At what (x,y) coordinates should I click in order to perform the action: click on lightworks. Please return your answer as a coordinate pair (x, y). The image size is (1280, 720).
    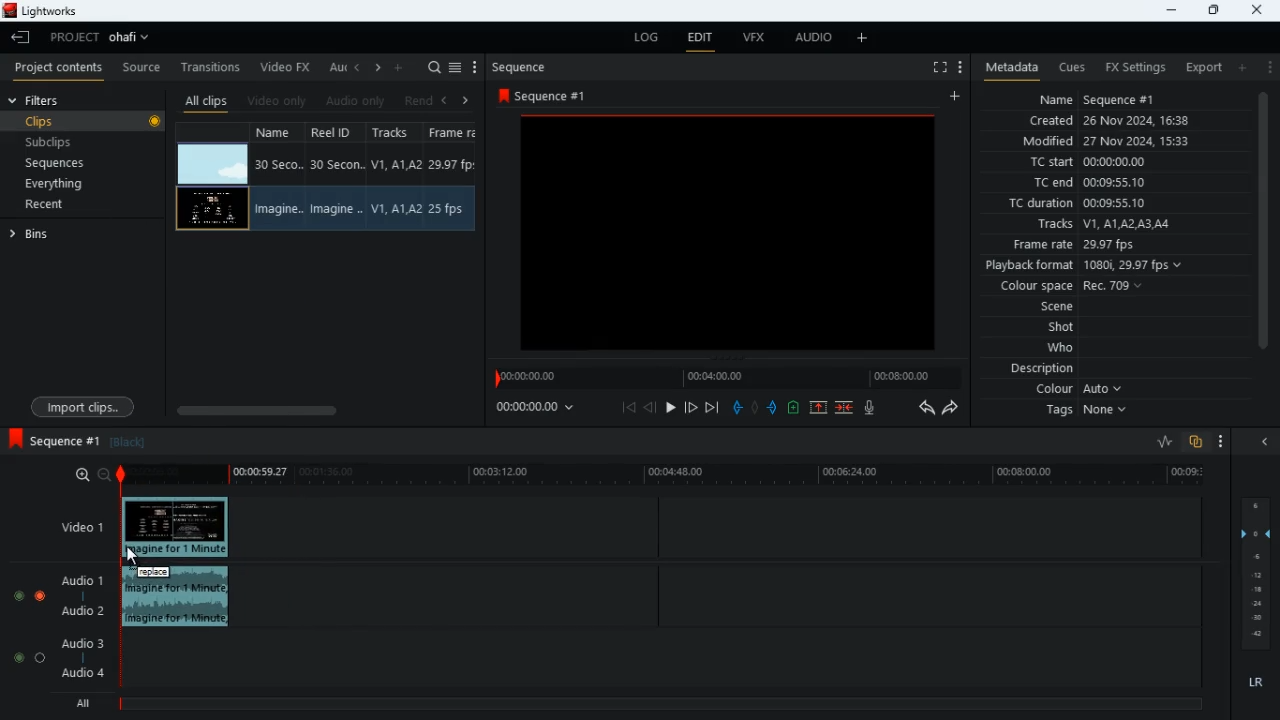
    Looking at the image, I should click on (43, 11).